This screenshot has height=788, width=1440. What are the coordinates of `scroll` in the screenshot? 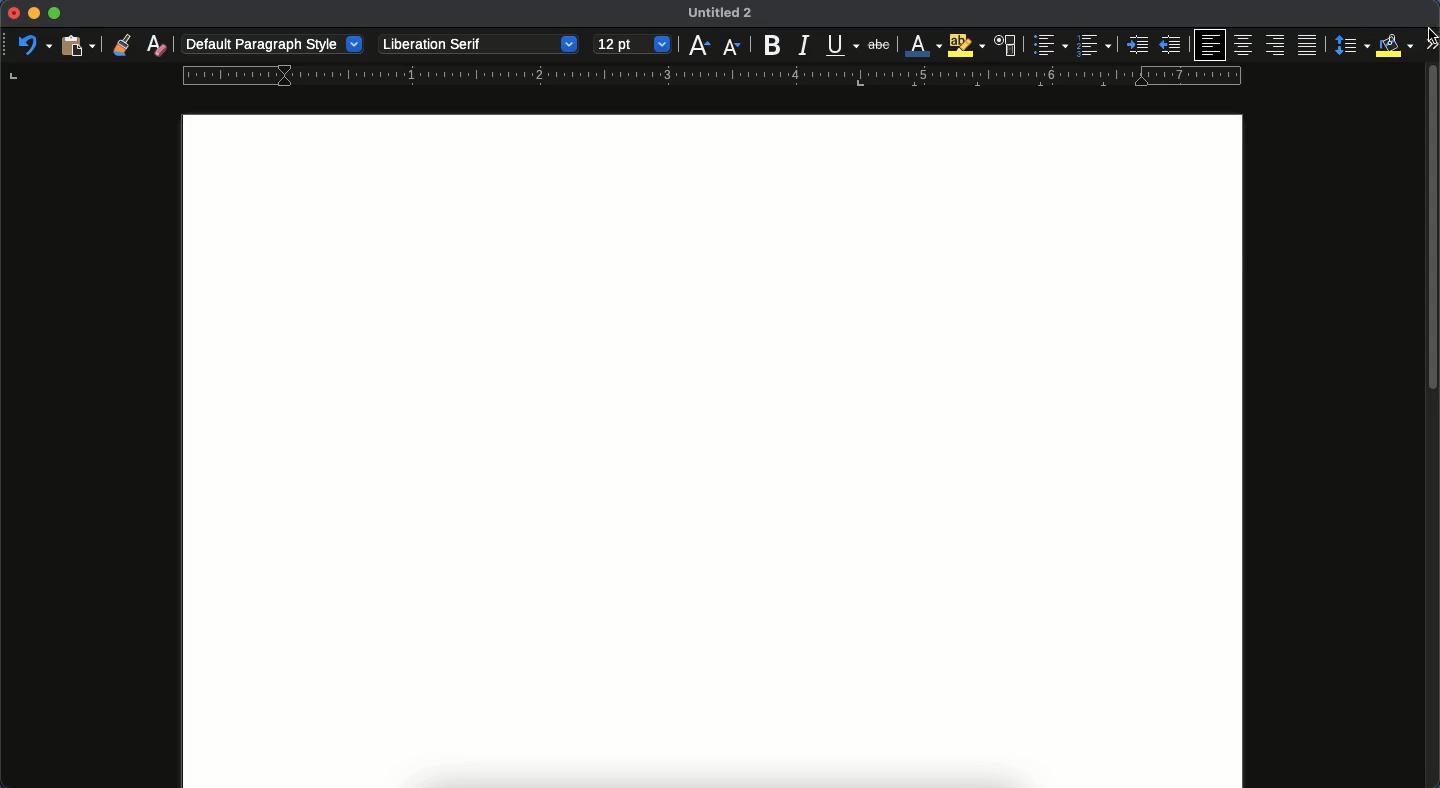 It's located at (1431, 425).